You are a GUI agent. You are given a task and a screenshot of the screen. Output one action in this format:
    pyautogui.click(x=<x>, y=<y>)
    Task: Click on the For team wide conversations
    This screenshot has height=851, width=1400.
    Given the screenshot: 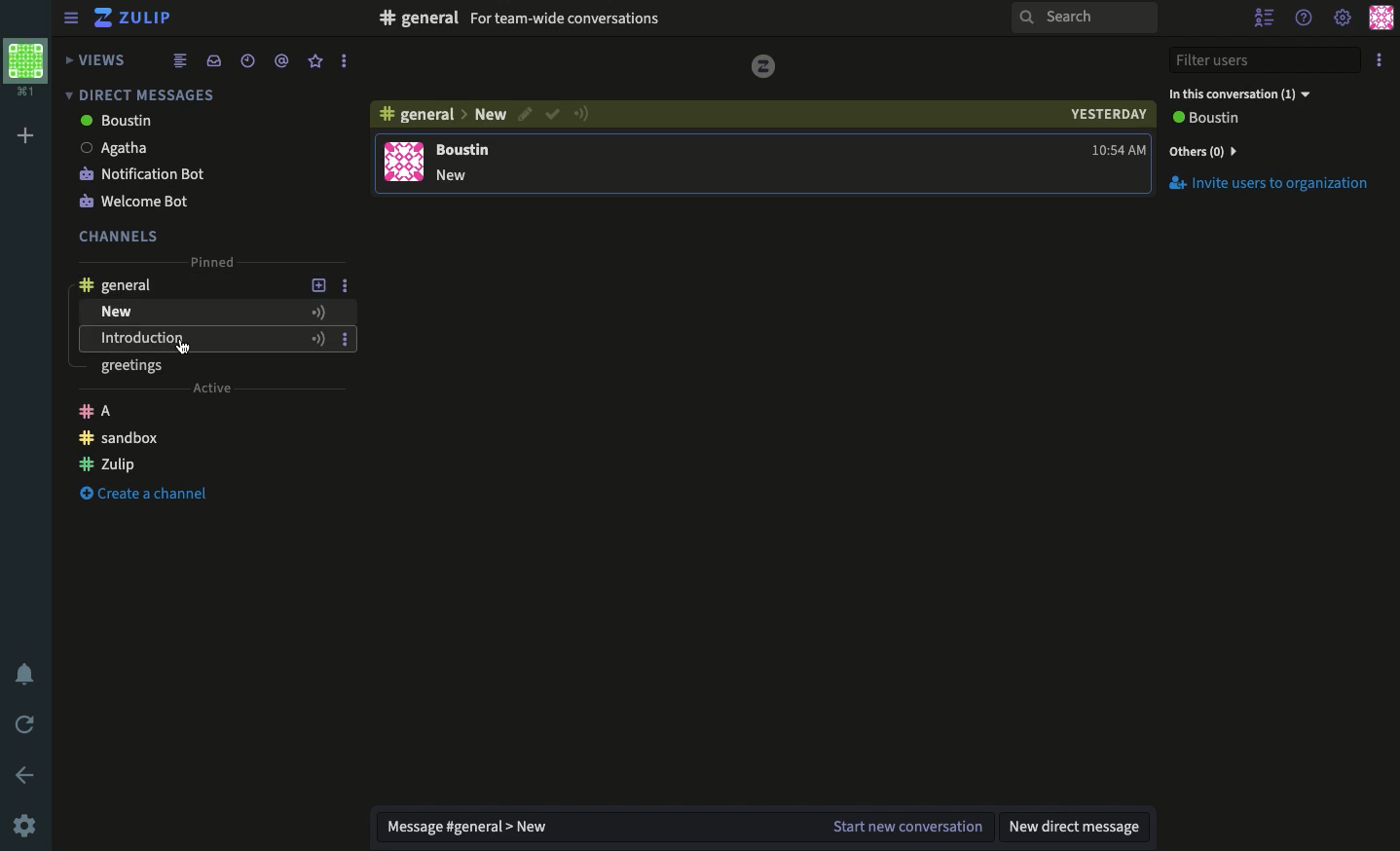 What is the action you would take?
    pyautogui.click(x=567, y=19)
    